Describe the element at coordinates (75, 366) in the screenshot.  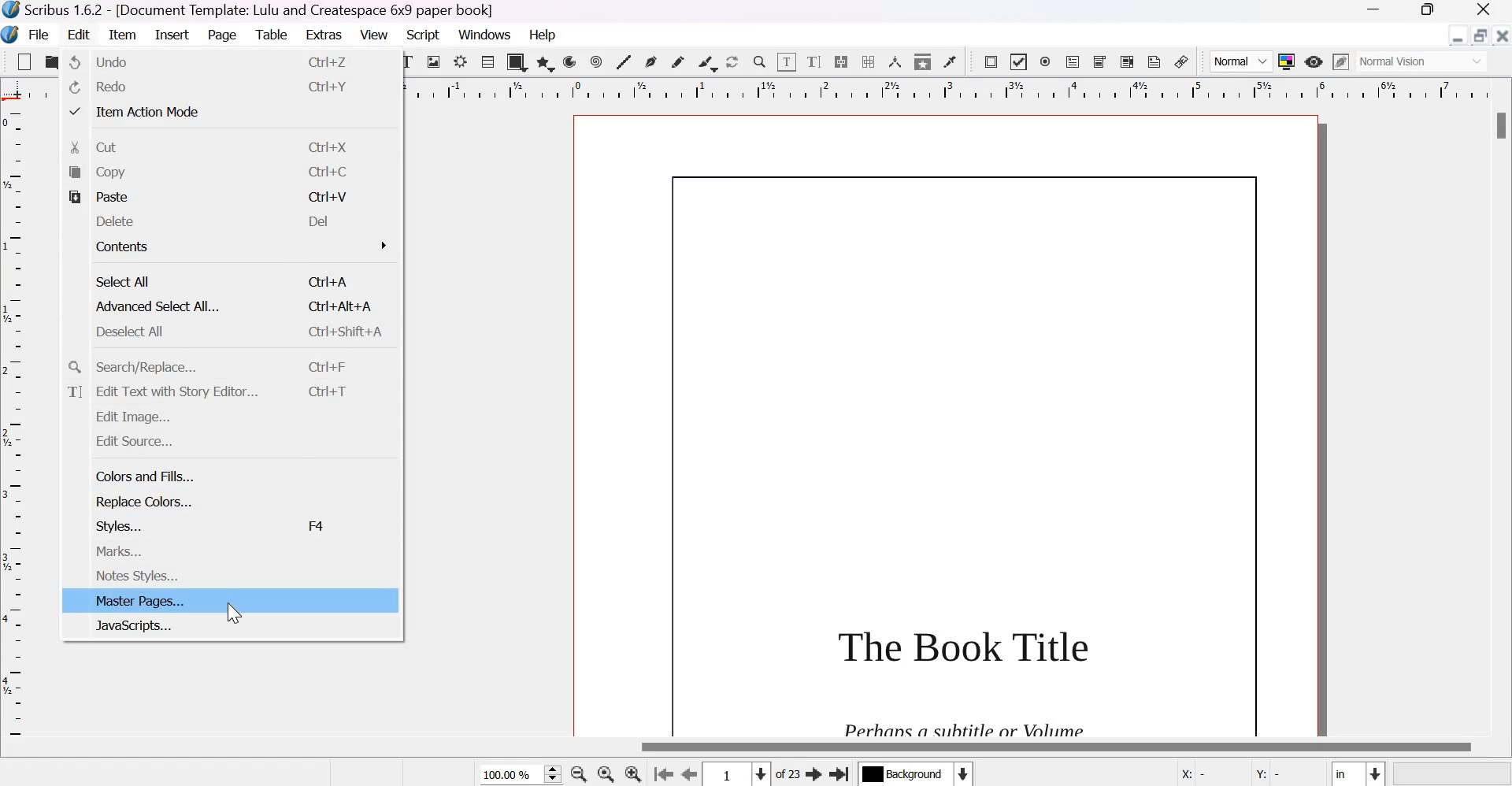
I see `search icon` at that location.